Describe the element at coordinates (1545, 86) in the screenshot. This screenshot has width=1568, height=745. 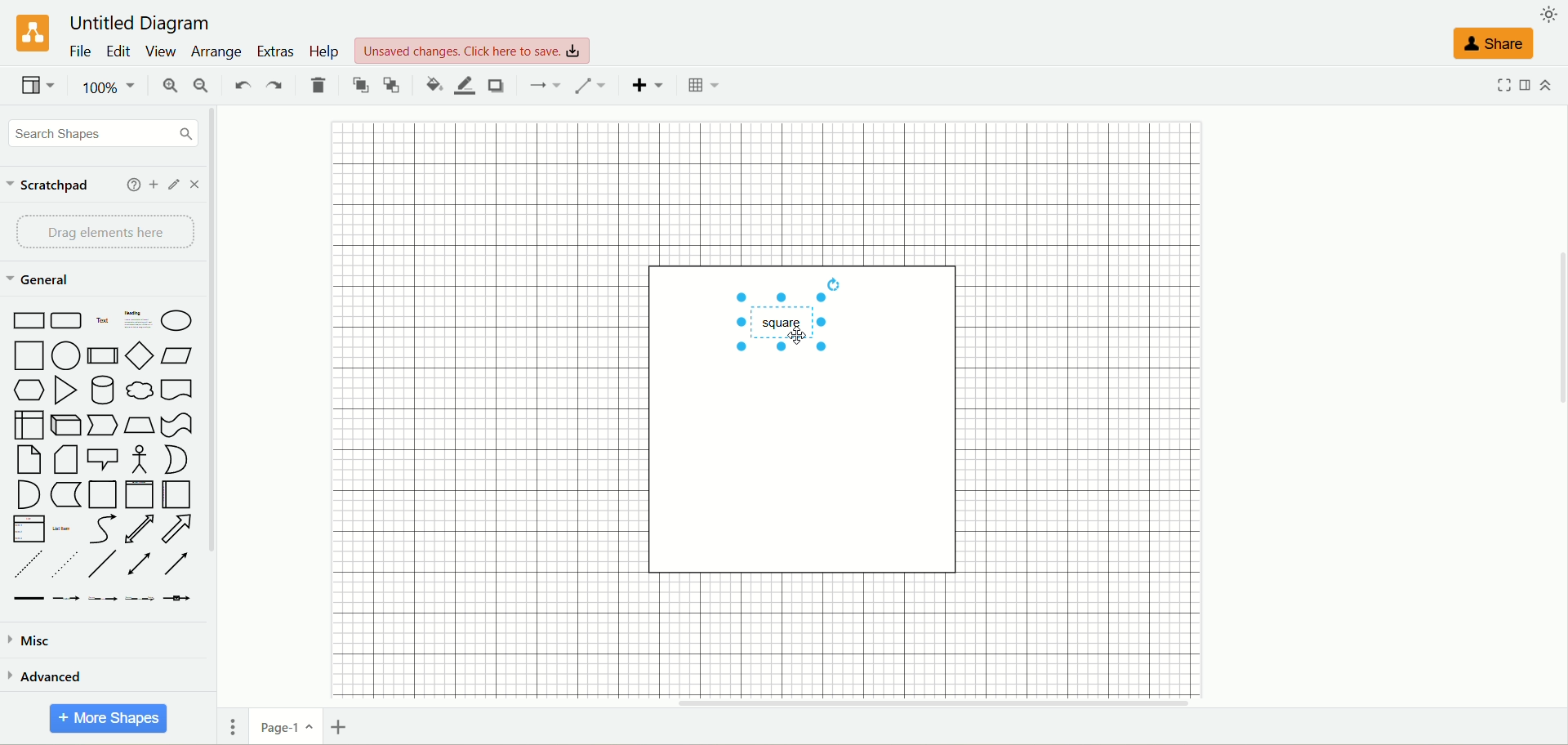
I see `collapse/expand` at that location.